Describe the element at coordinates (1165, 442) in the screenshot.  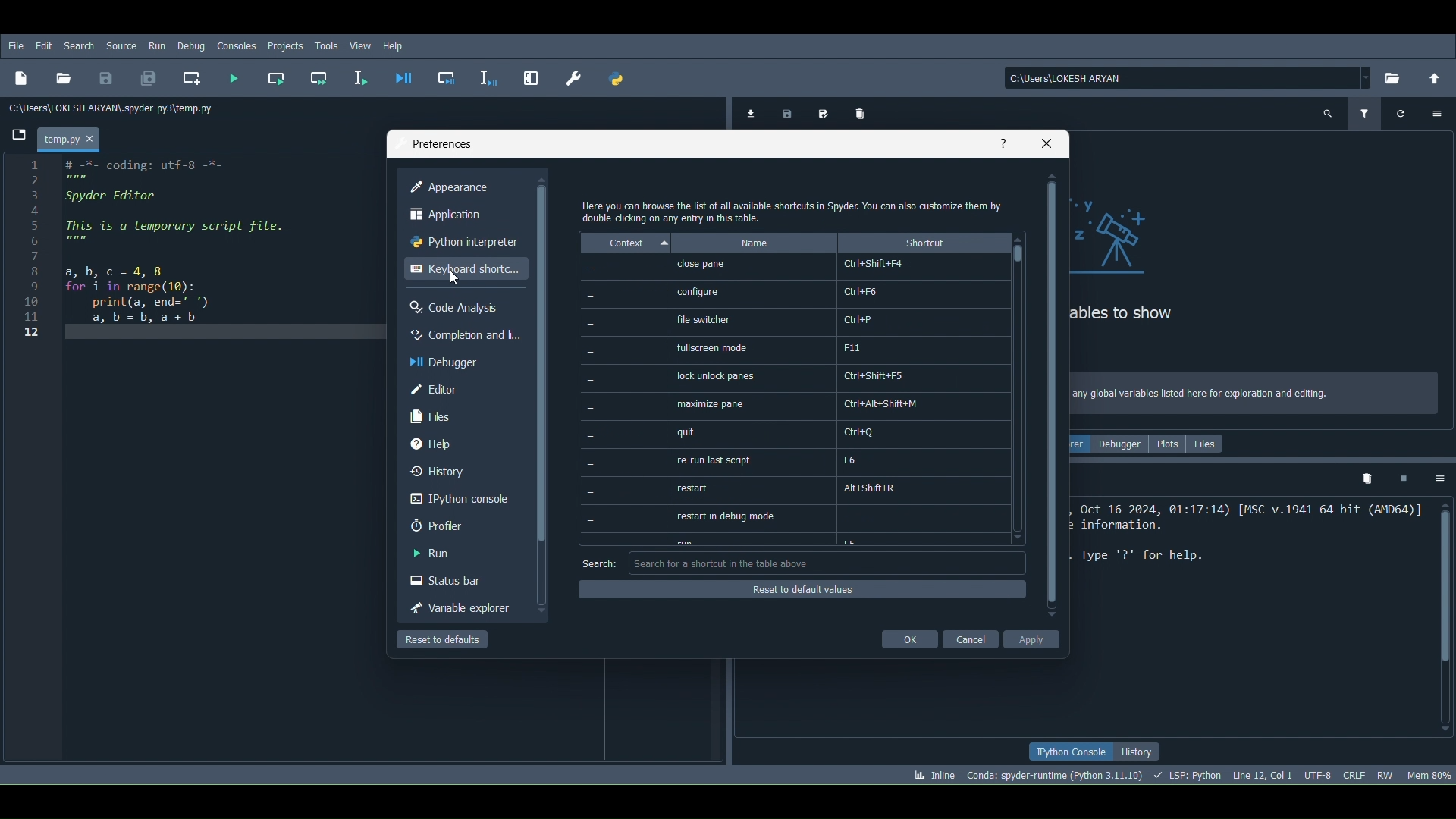
I see `Plots` at that location.